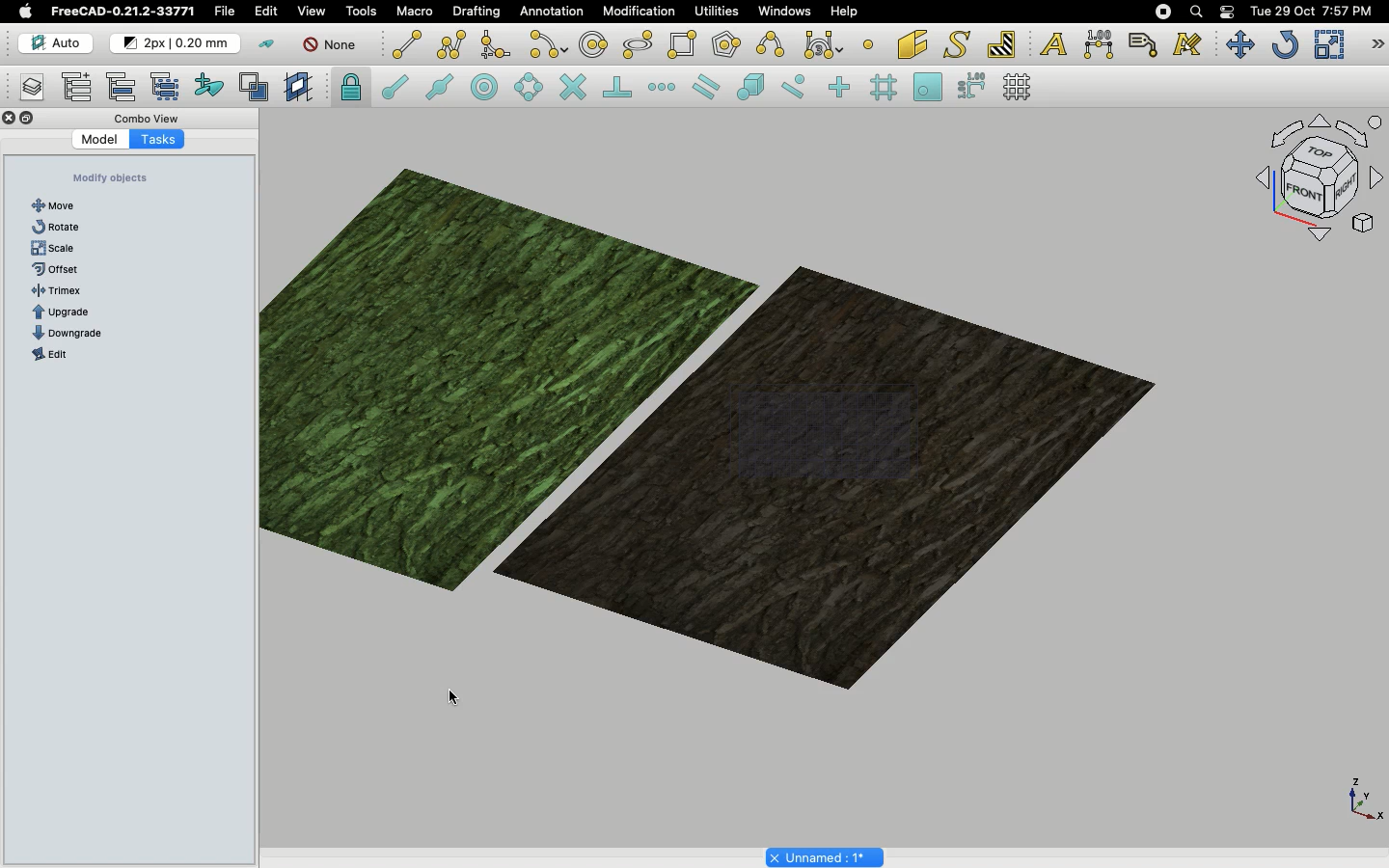  I want to click on Polygon, so click(728, 47).